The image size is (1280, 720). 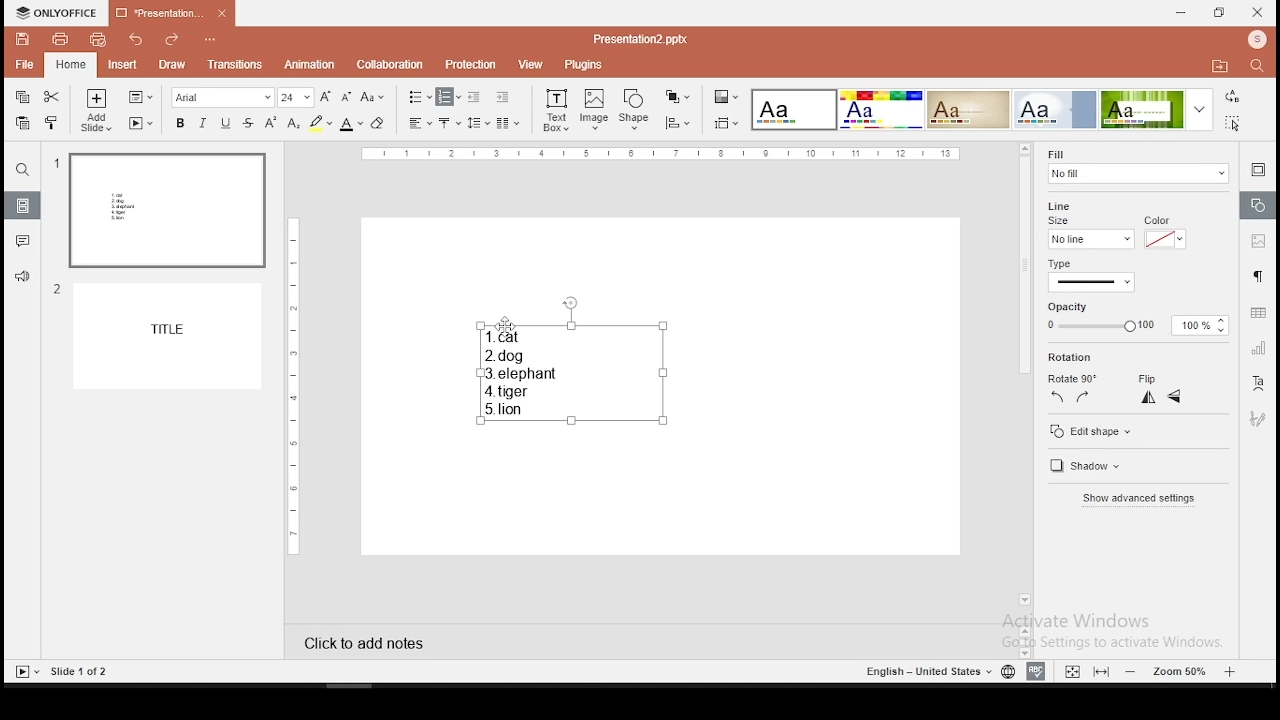 I want to click on flip horizontal, so click(x=1175, y=397).